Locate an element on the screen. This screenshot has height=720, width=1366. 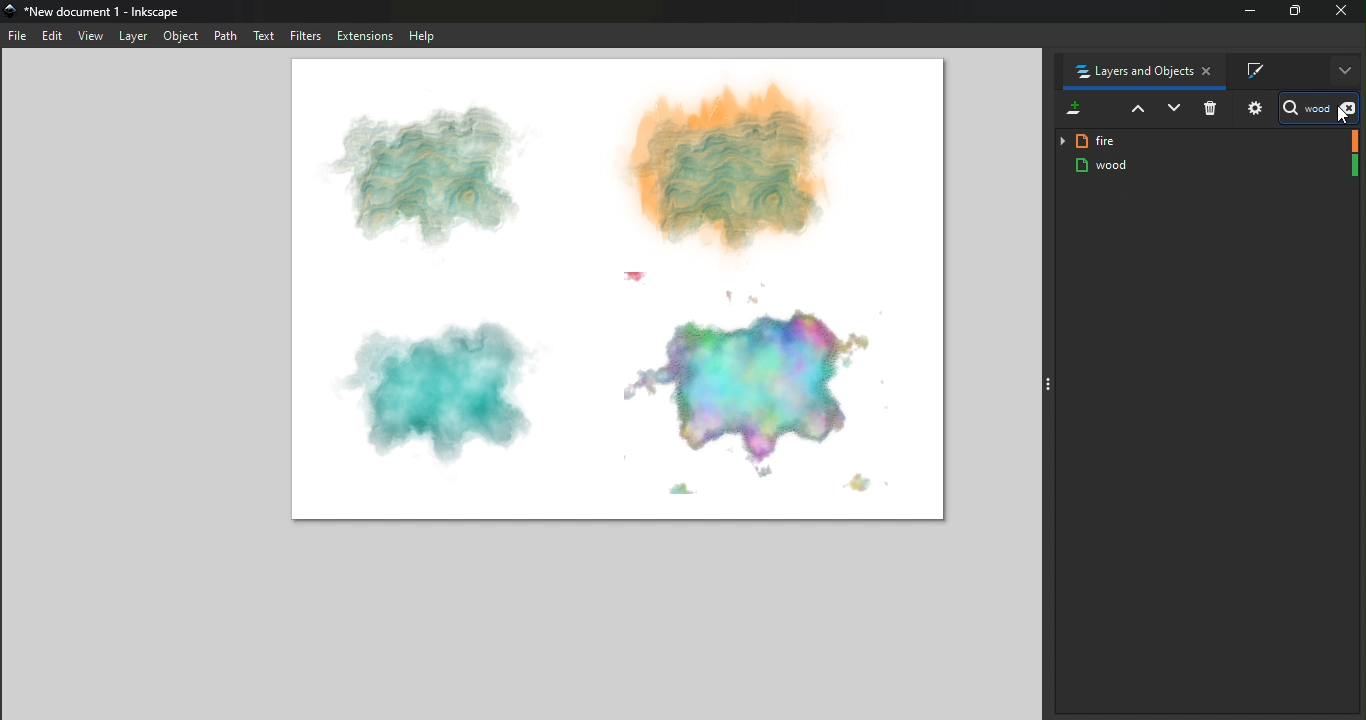
view is located at coordinates (91, 38).